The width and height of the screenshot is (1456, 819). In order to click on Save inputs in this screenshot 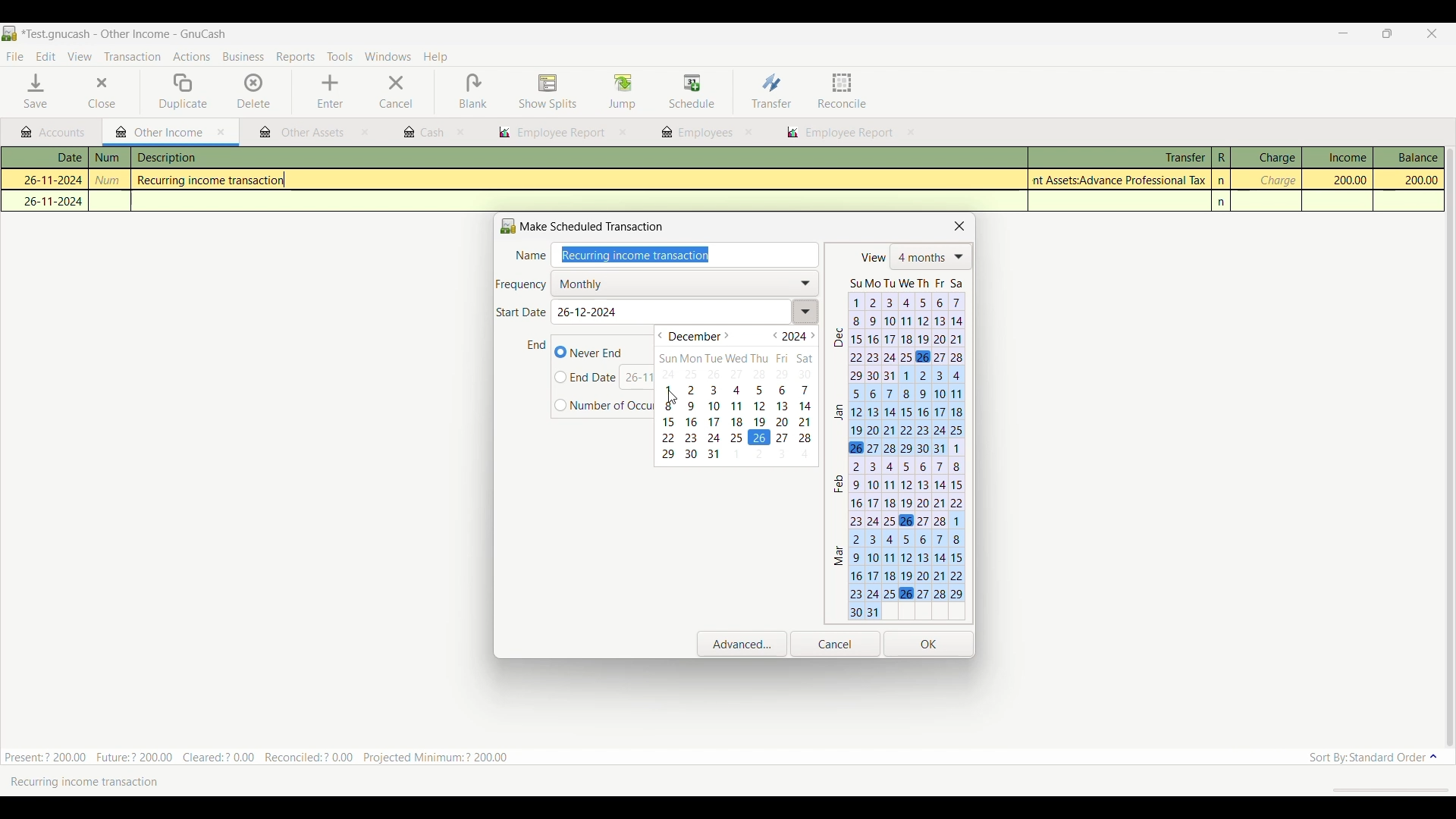, I will do `click(929, 645)`.